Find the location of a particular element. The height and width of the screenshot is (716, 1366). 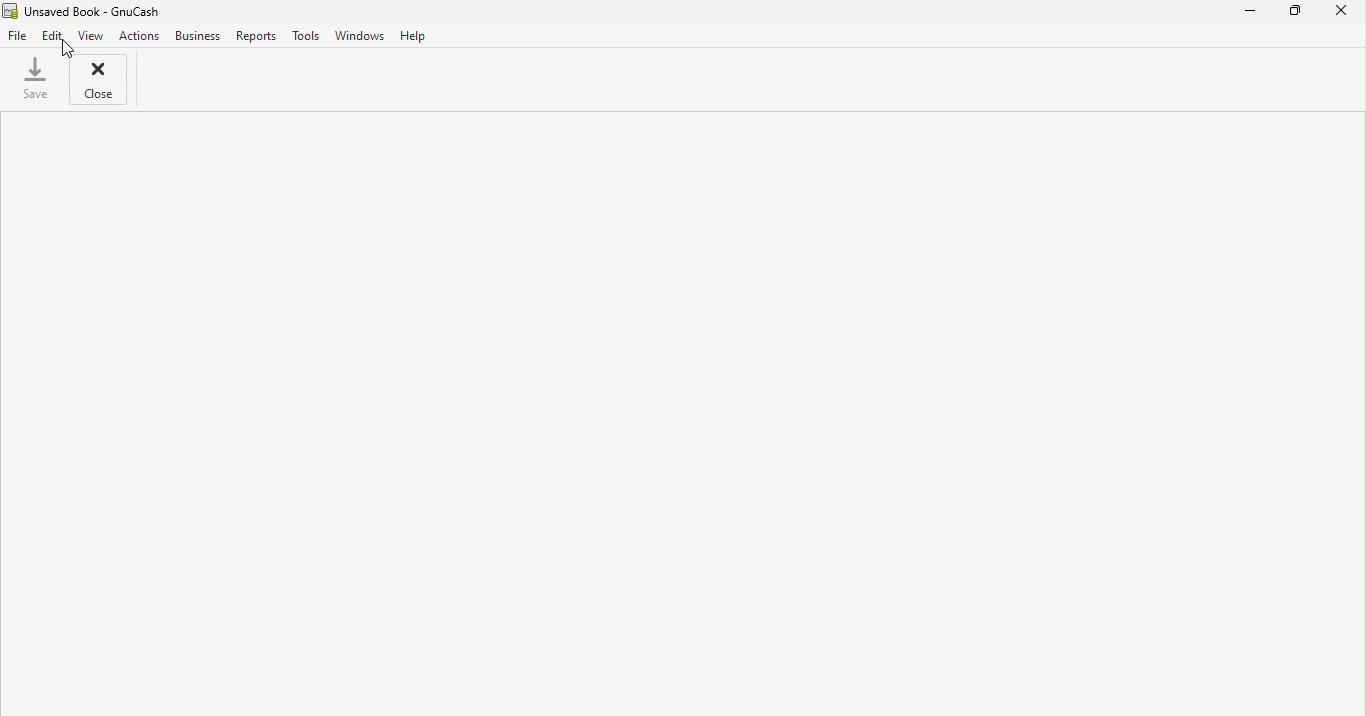

Close is located at coordinates (102, 82).